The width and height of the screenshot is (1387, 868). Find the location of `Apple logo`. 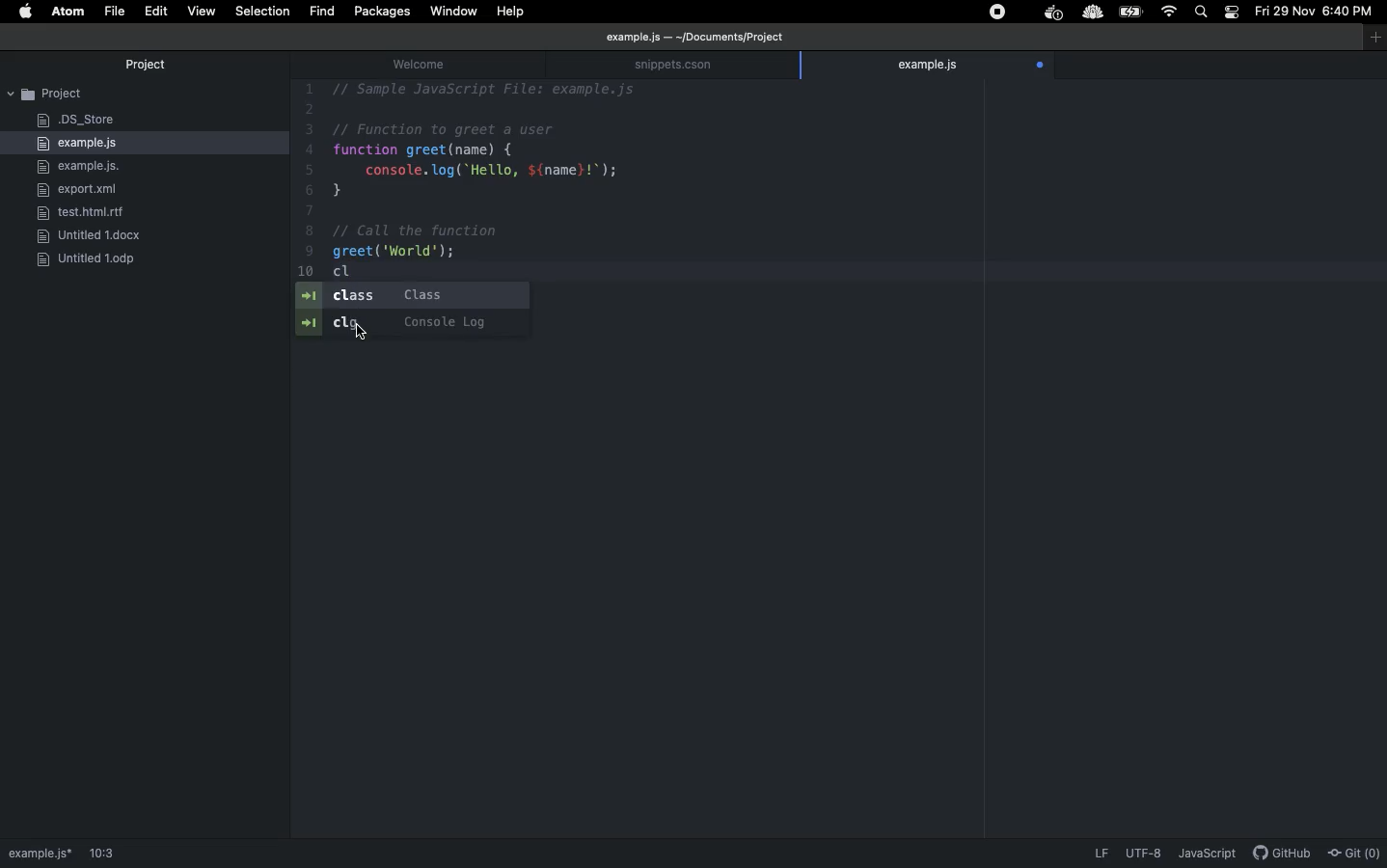

Apple logo is located at coordinates (28, 12).